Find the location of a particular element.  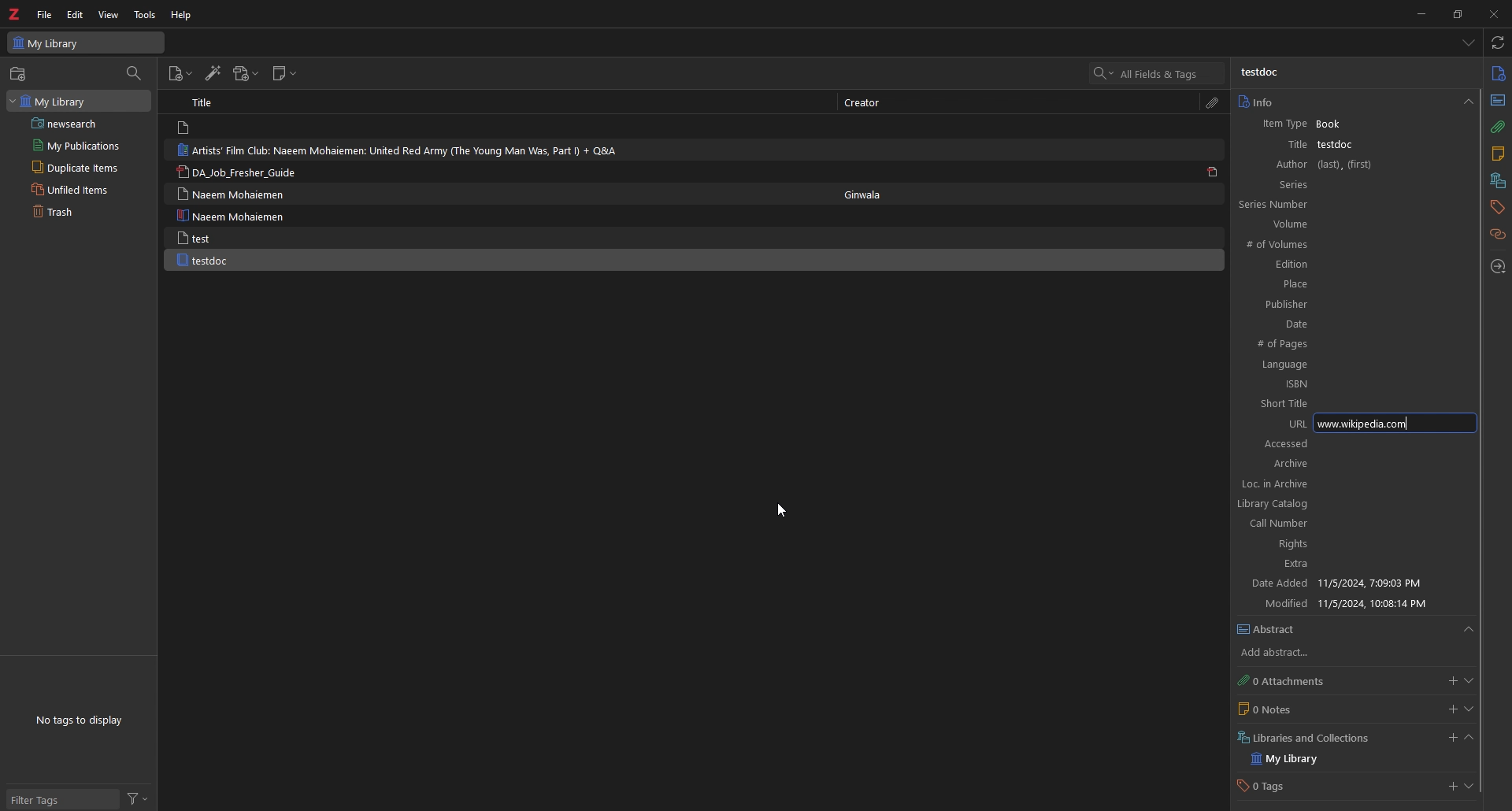

Book is located at coordinates (1332, 124).